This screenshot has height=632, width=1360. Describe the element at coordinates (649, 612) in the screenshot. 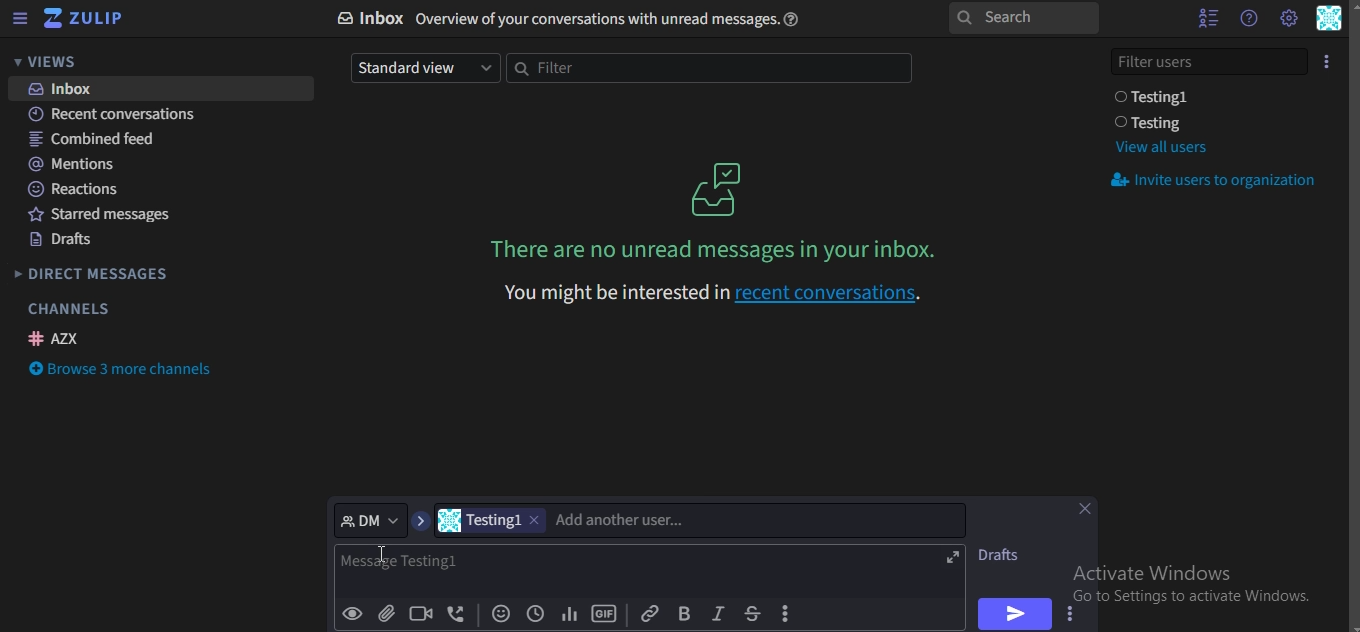

I see `link` at that location.